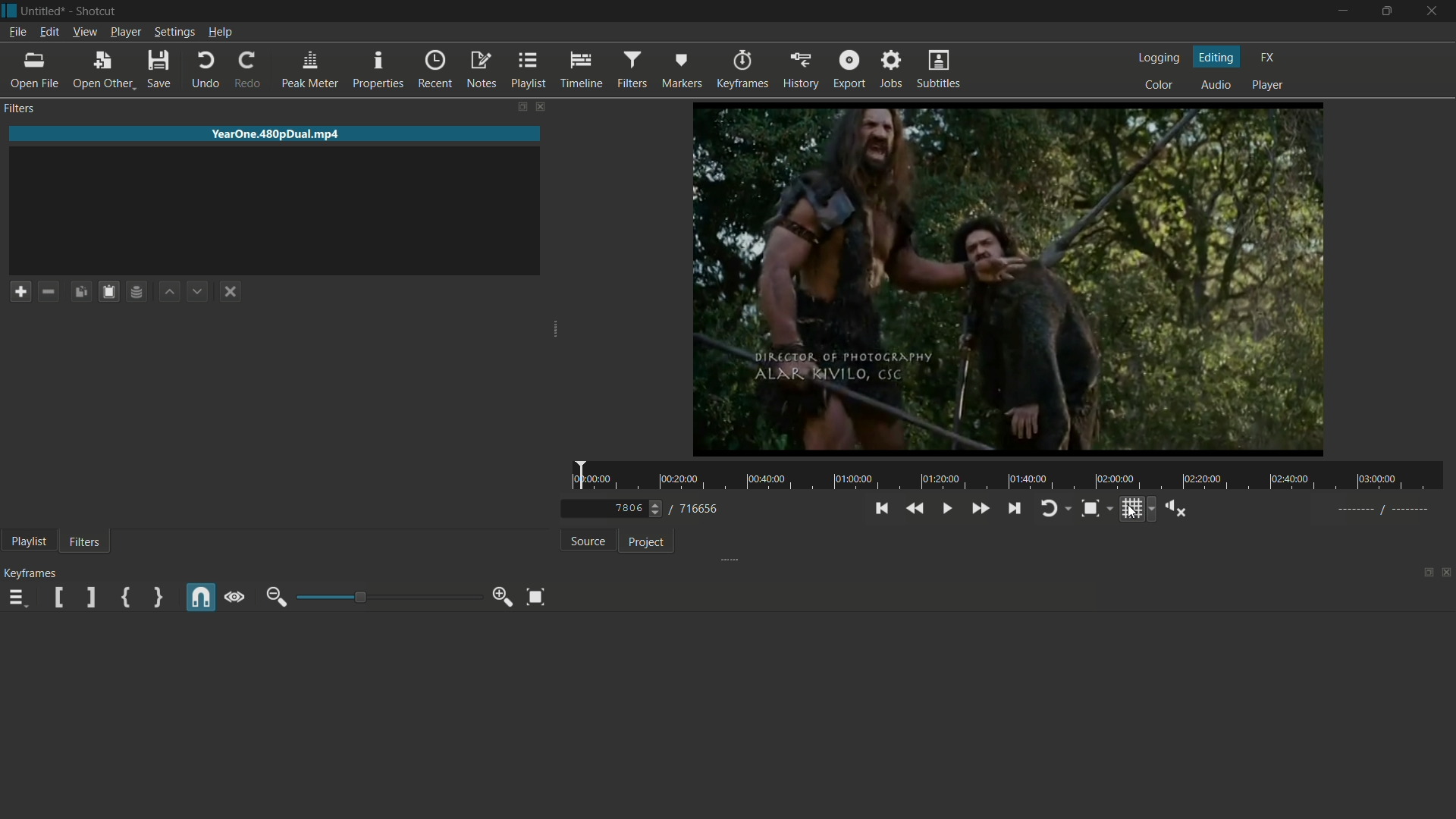  I want to click on set second simple keyframe, so click(157, 598).